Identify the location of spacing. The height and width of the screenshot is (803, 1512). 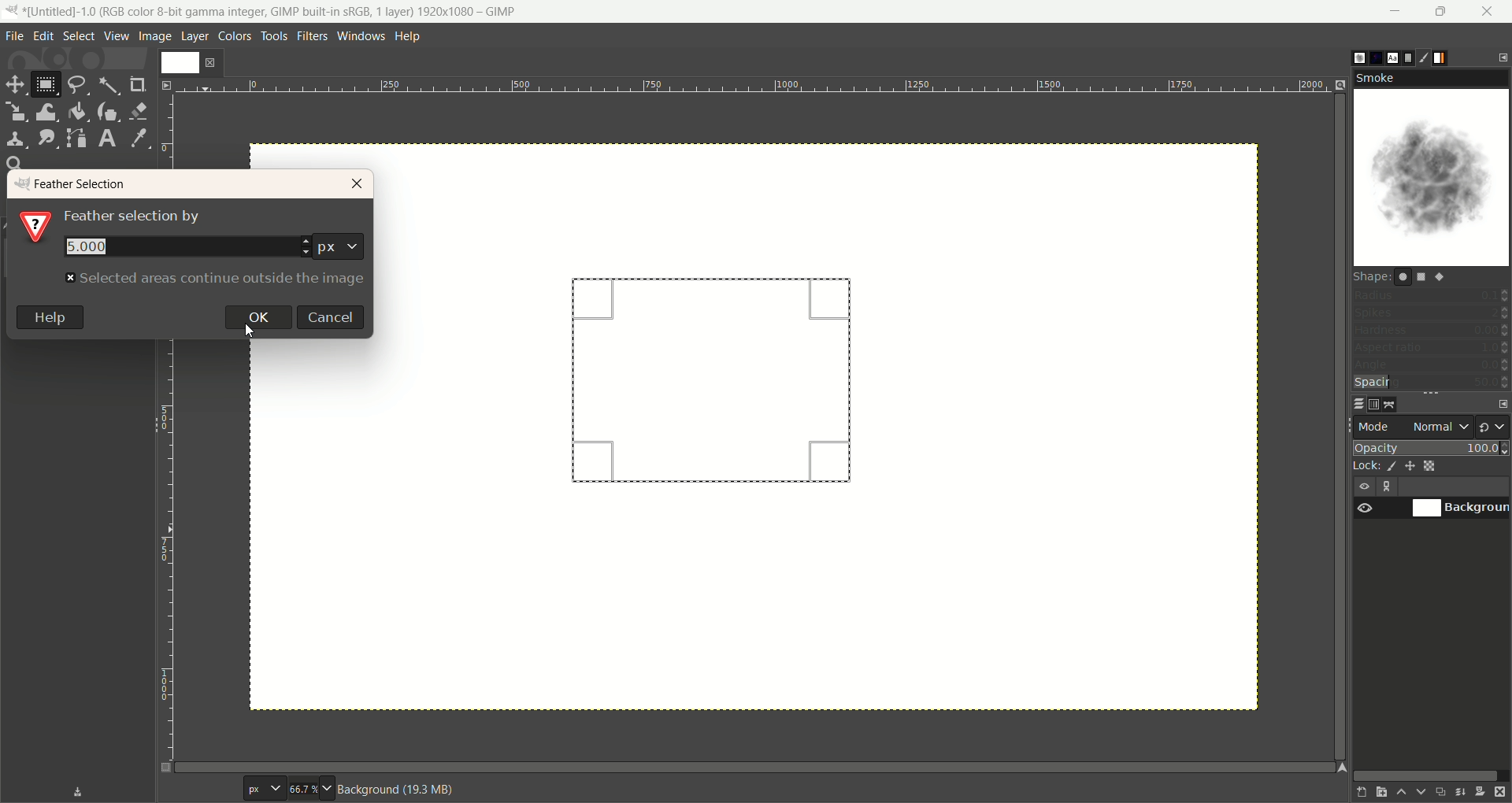
(1432, 384).